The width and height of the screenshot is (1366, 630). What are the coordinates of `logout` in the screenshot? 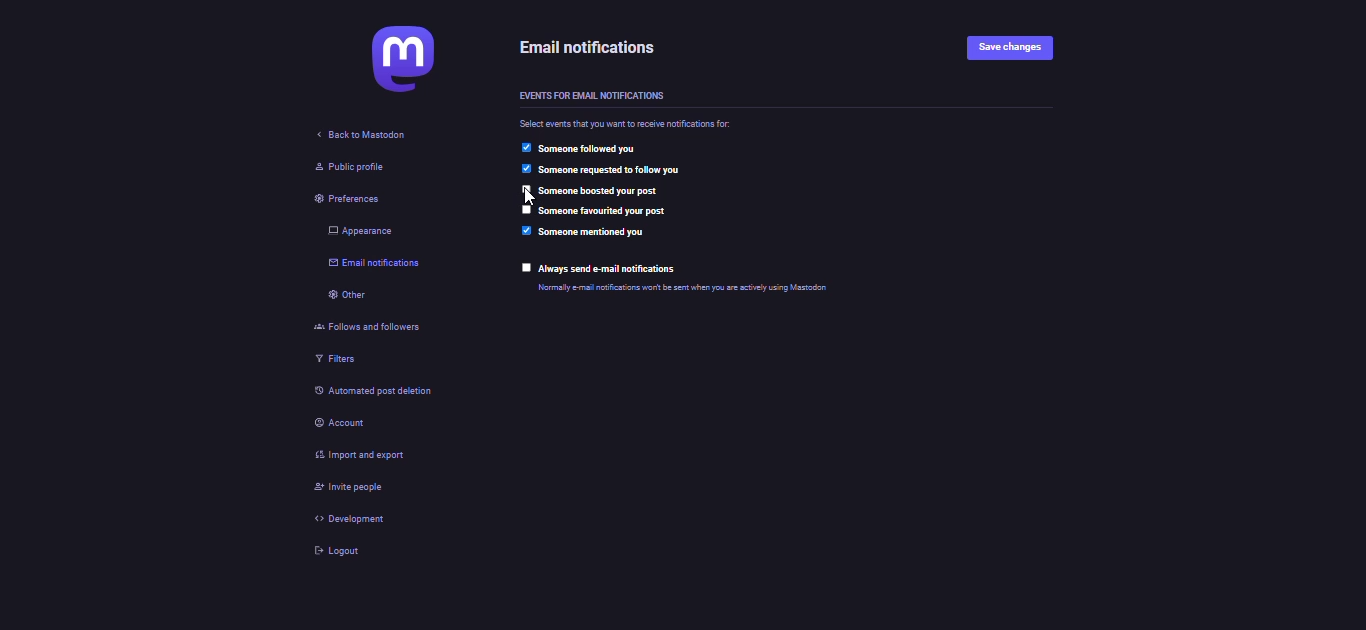 It's located at (331, 551).